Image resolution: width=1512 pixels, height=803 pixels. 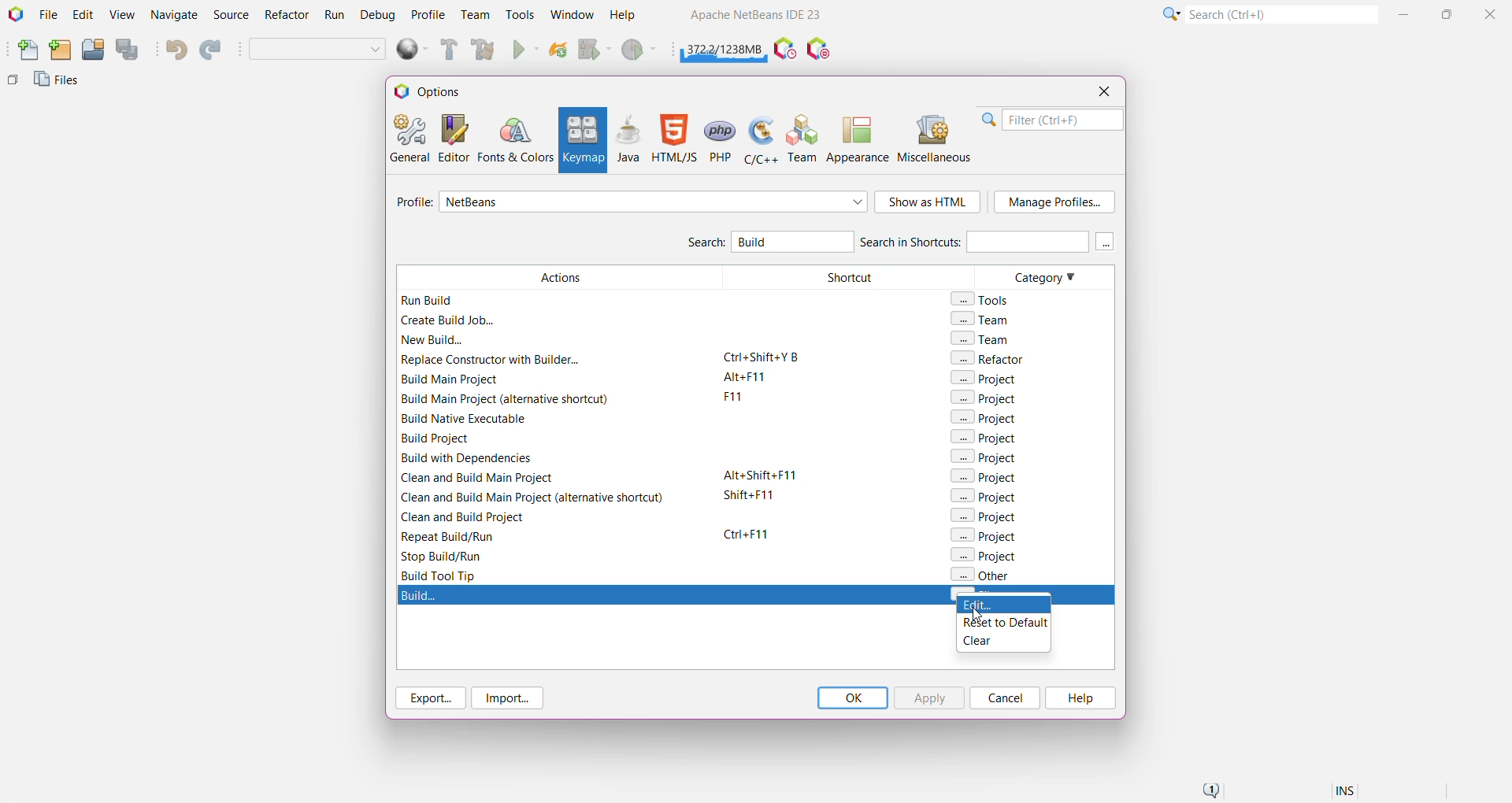 I want to click on Select required profile from the list, so click(x=654, y=202).